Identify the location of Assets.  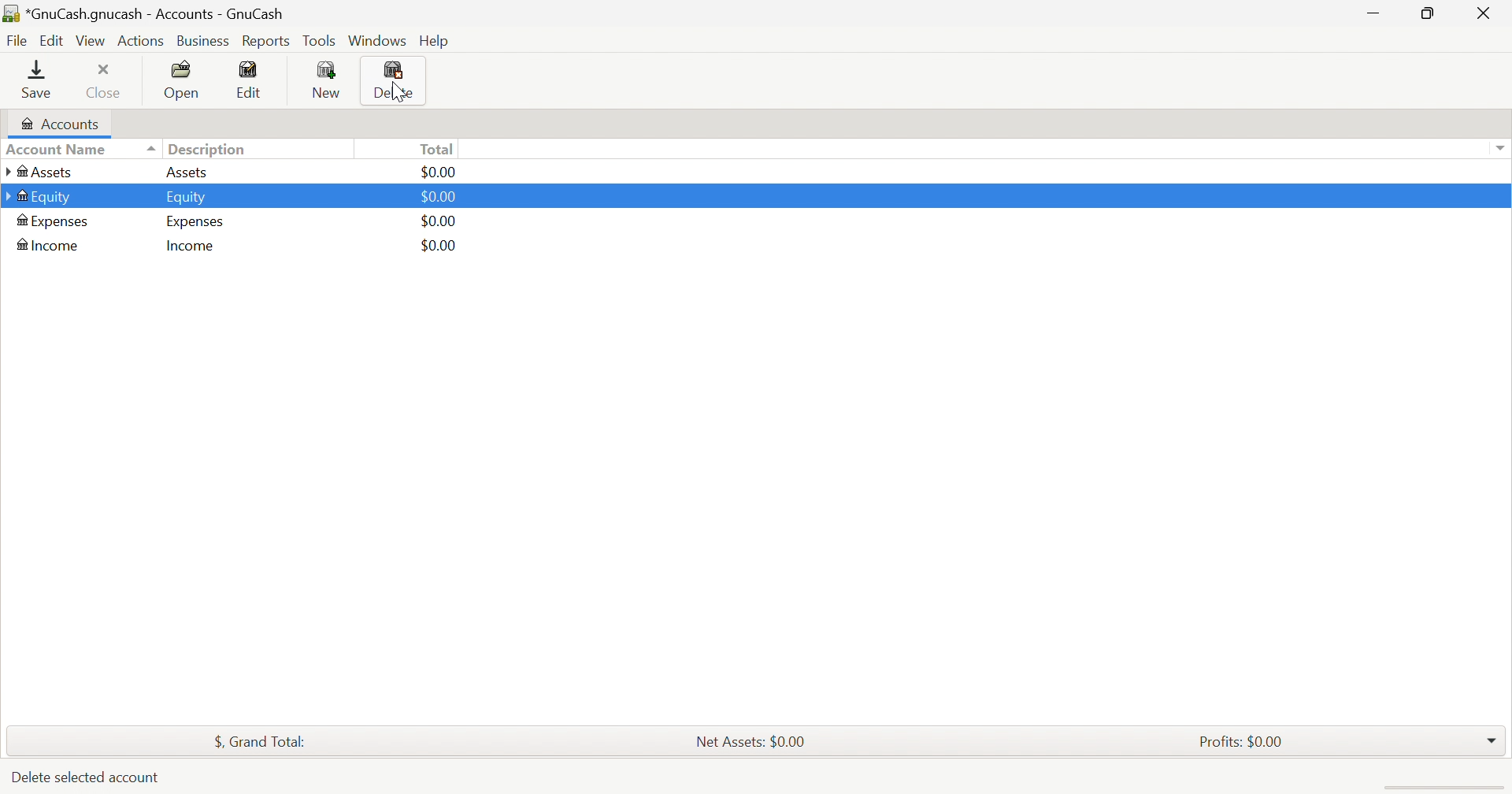
(187, 173).